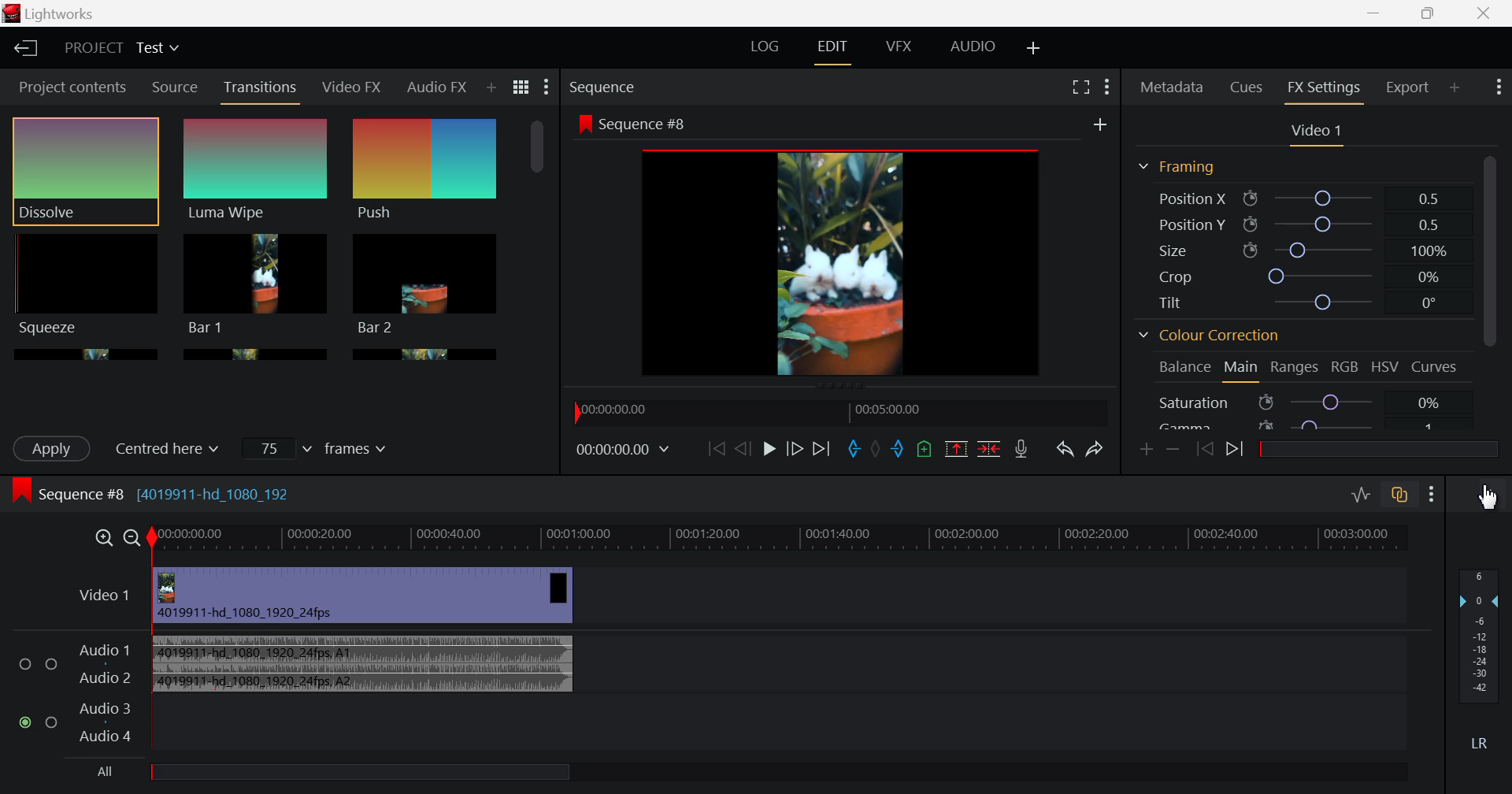  I want to click on Minimize, so click(1432, 13).